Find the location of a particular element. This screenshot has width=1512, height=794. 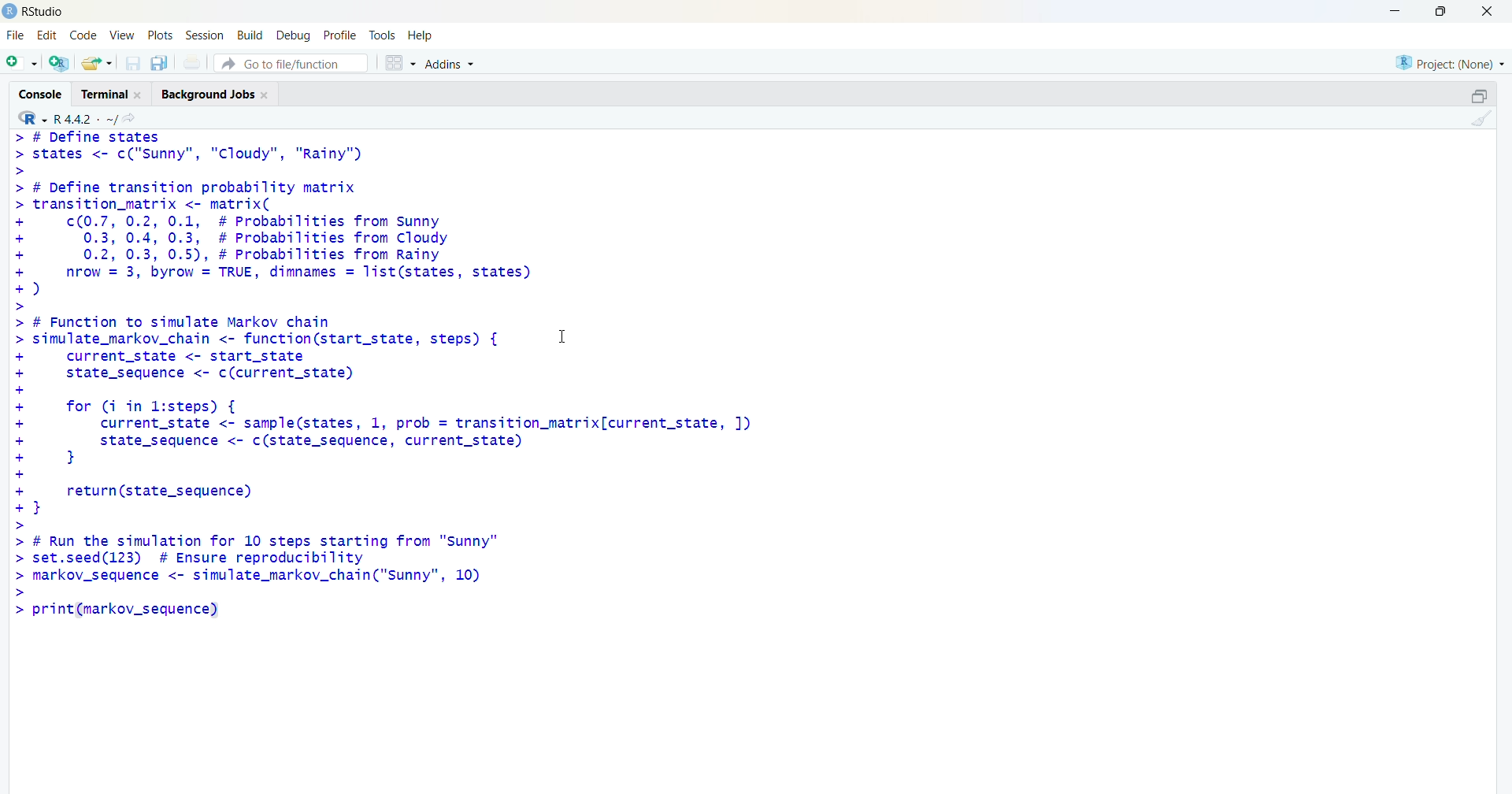

R 4.4.2 is located at coordinates (68, 117).